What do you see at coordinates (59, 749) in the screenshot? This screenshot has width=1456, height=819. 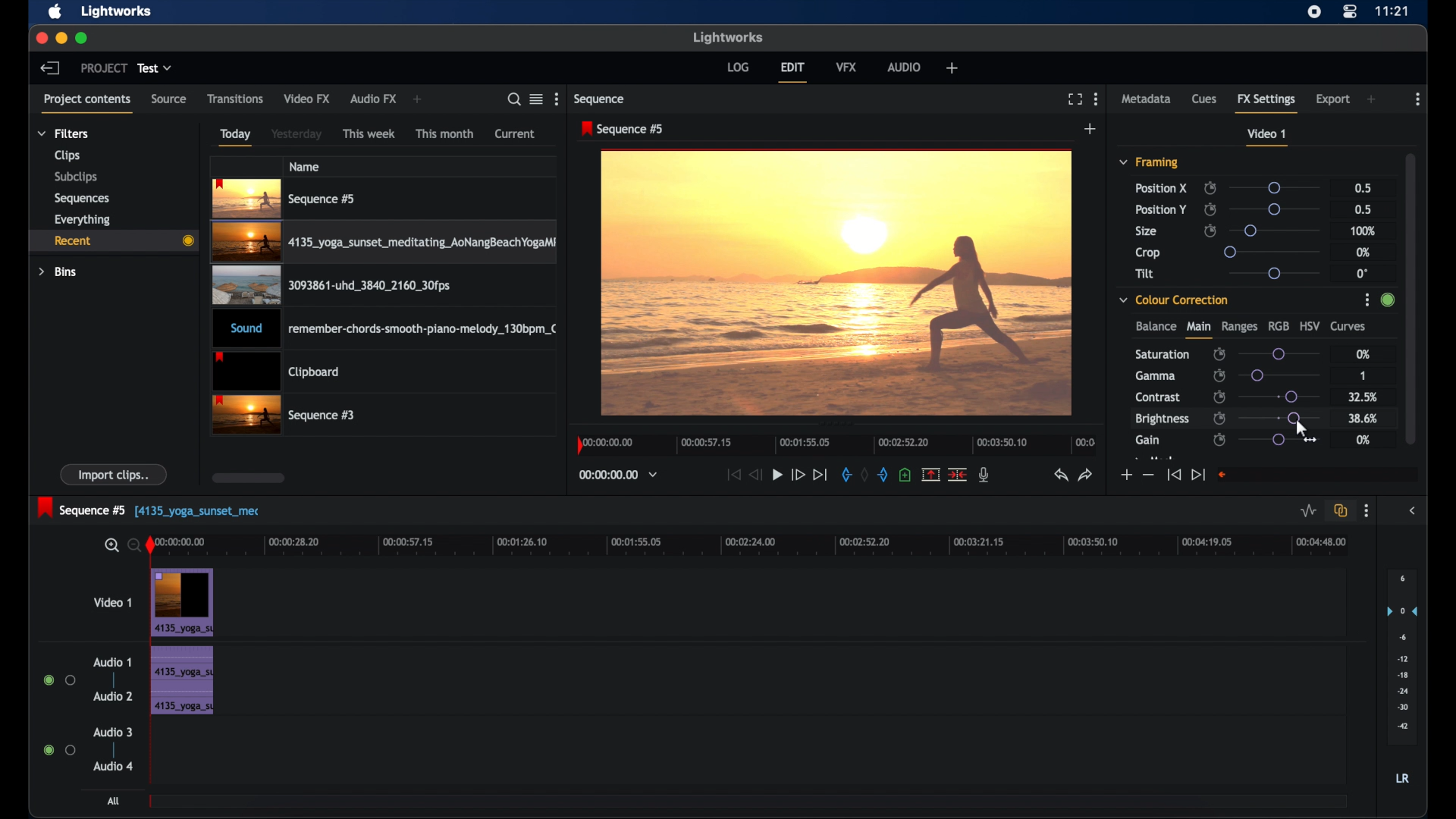 I see `radio button` at bounding box center [59, 749].